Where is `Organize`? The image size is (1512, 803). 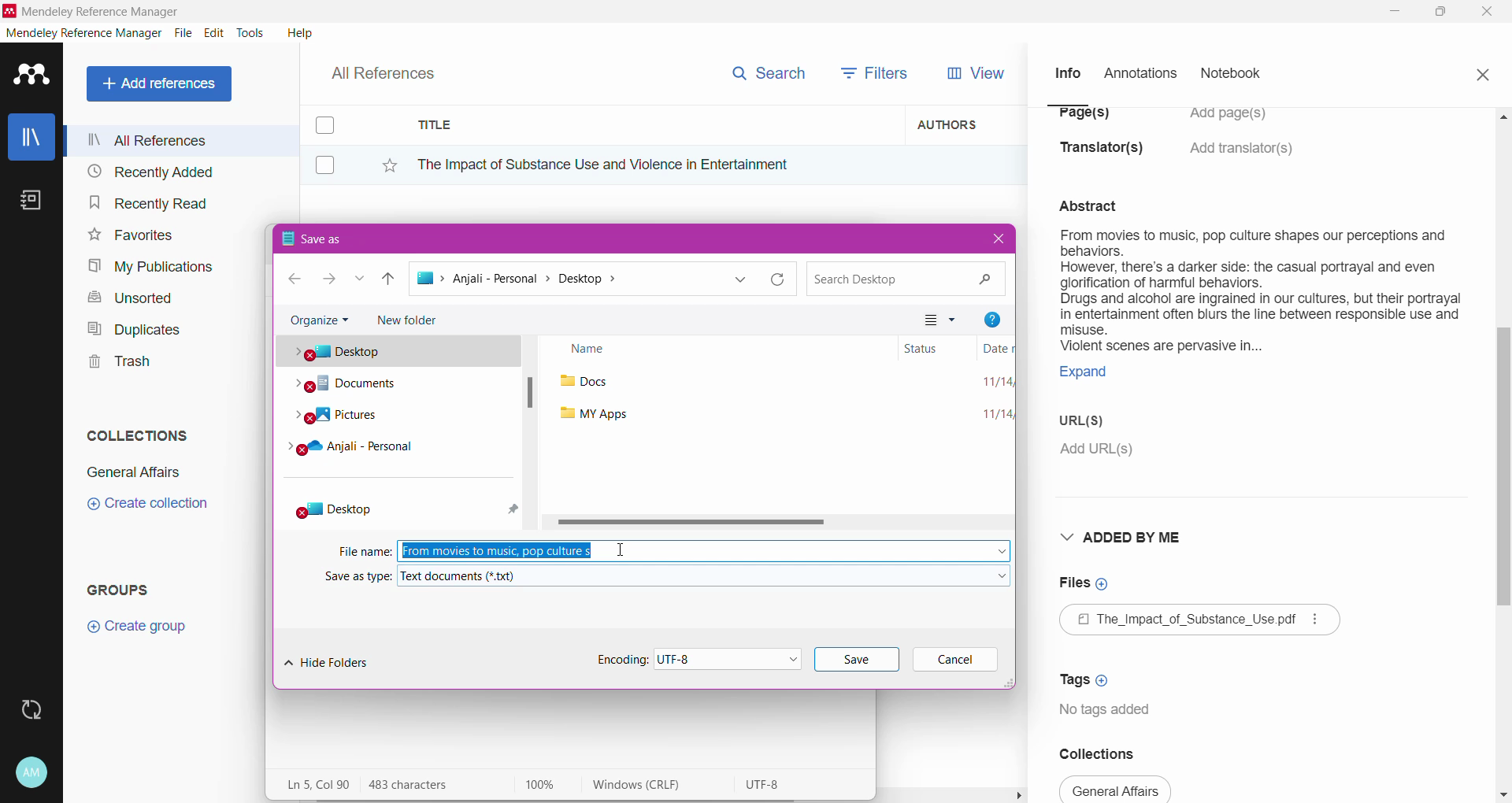
Organize is located at coordinates (318, 320).